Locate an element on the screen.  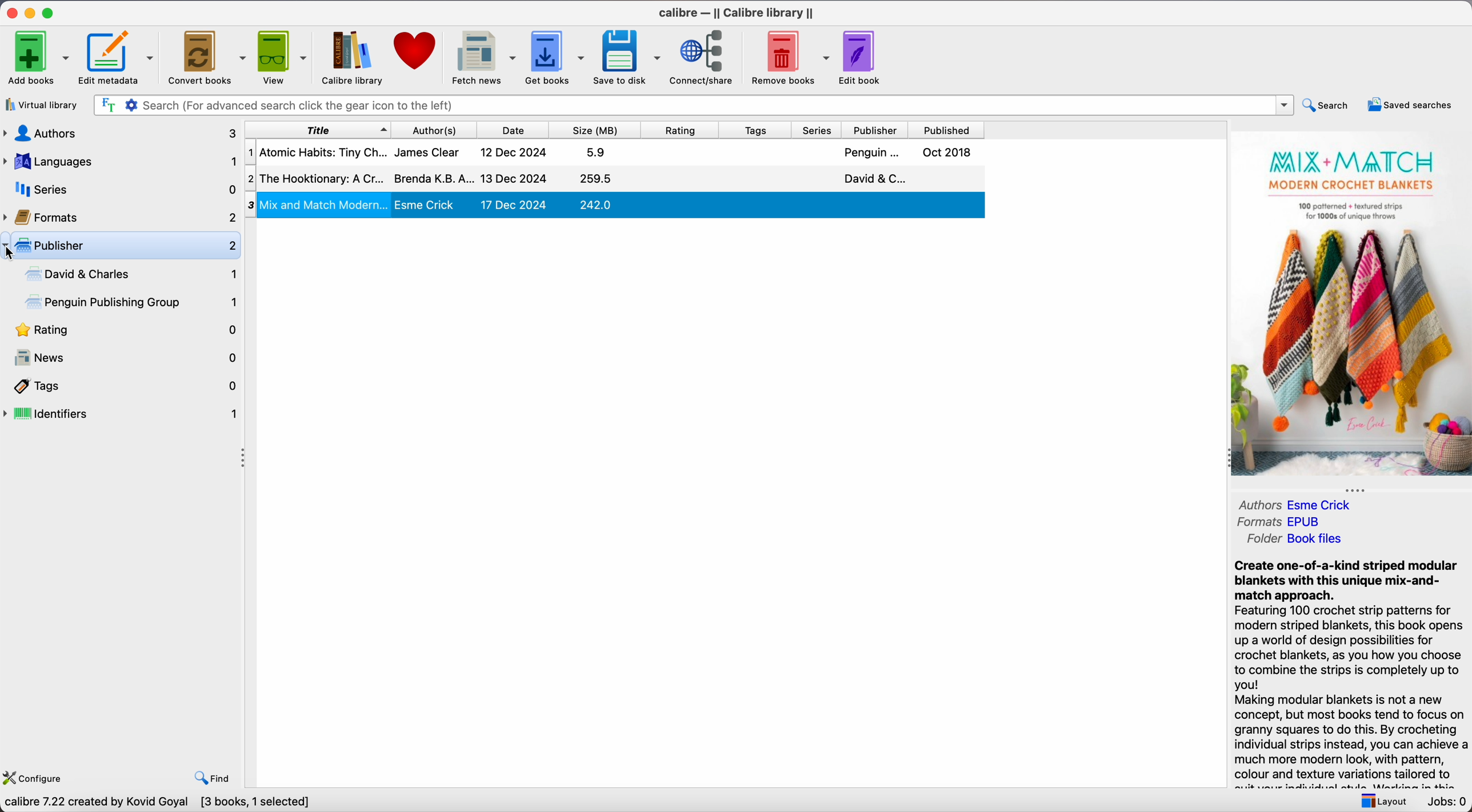
formats is located at coordinates (121, 215).